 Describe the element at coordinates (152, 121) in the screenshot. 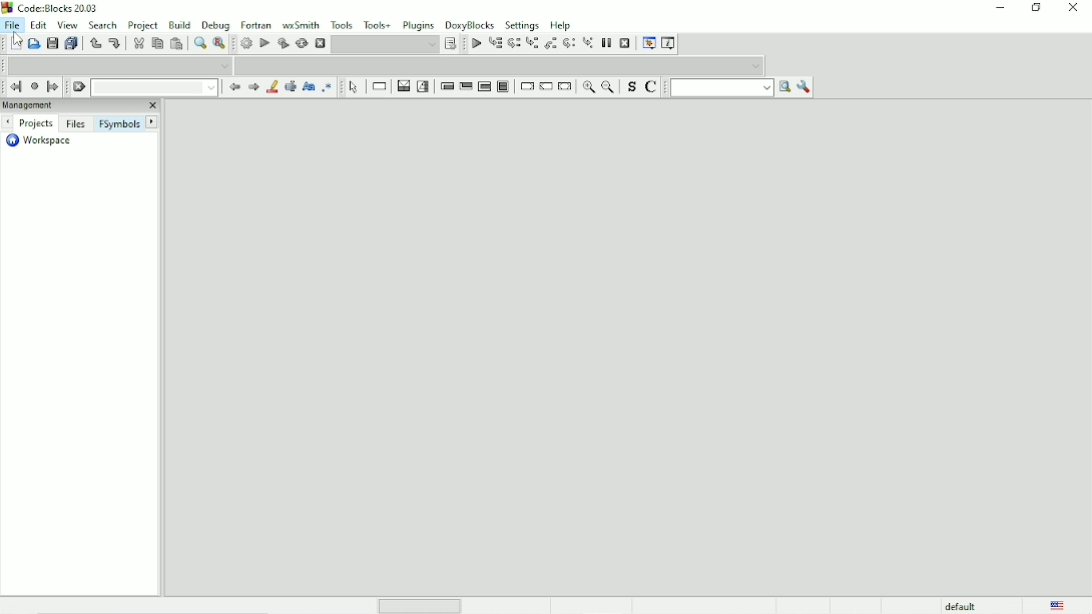

I see `Next` at that location.